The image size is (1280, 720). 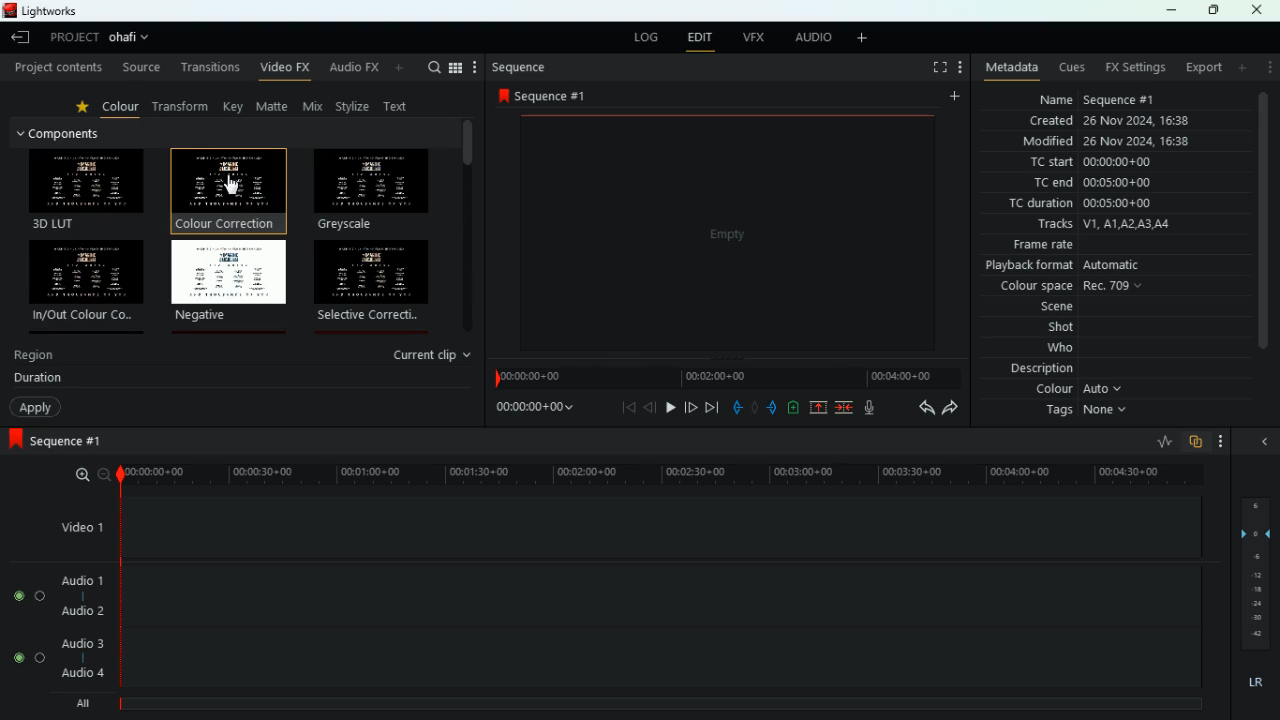 I want to click on transitions, so click(x=209, y=67).